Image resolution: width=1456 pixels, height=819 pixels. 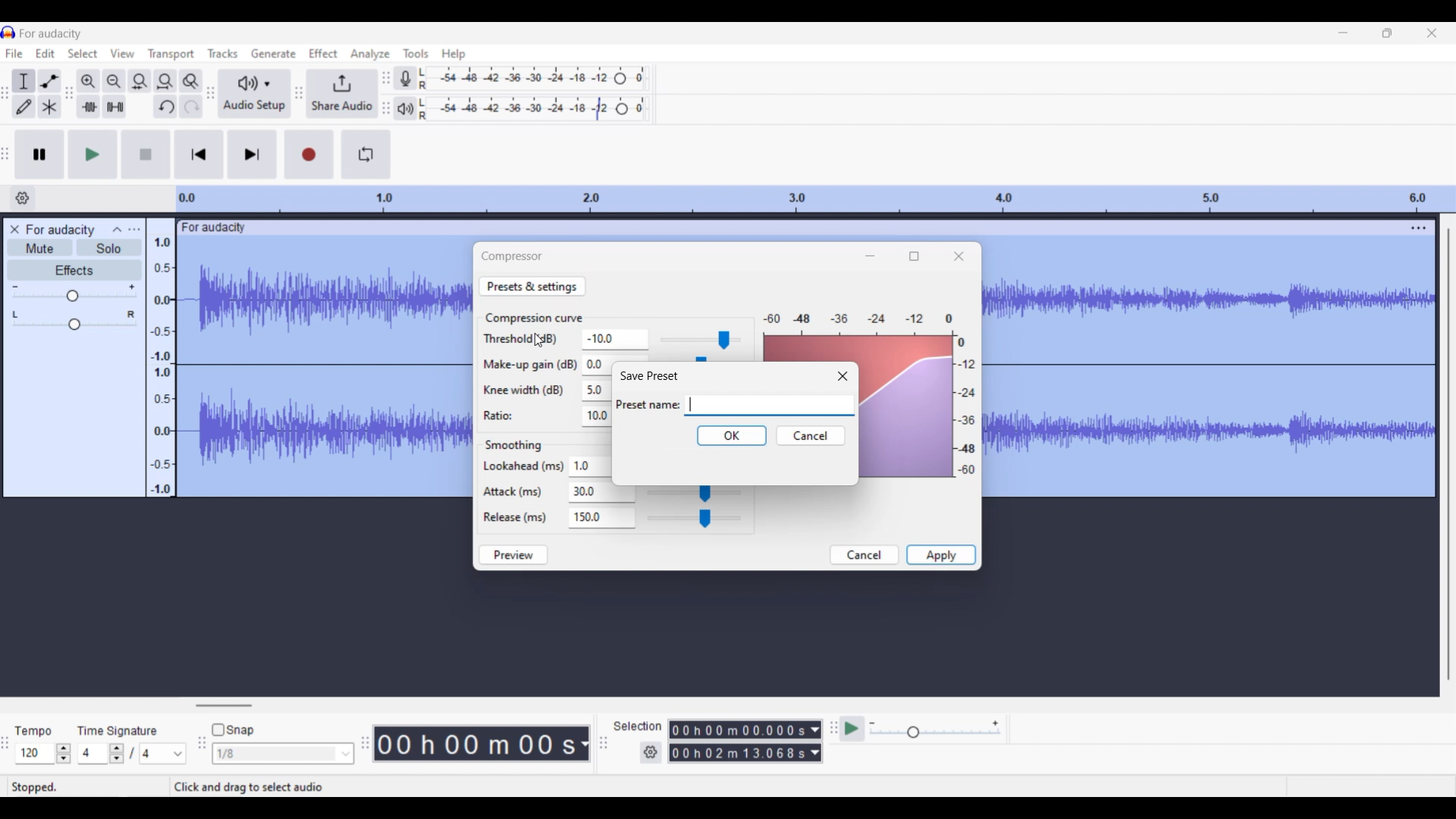 What do you see at coordinates (607, 339) in the screenshot?
I see `-10.0` at bounding box center [607, 339].